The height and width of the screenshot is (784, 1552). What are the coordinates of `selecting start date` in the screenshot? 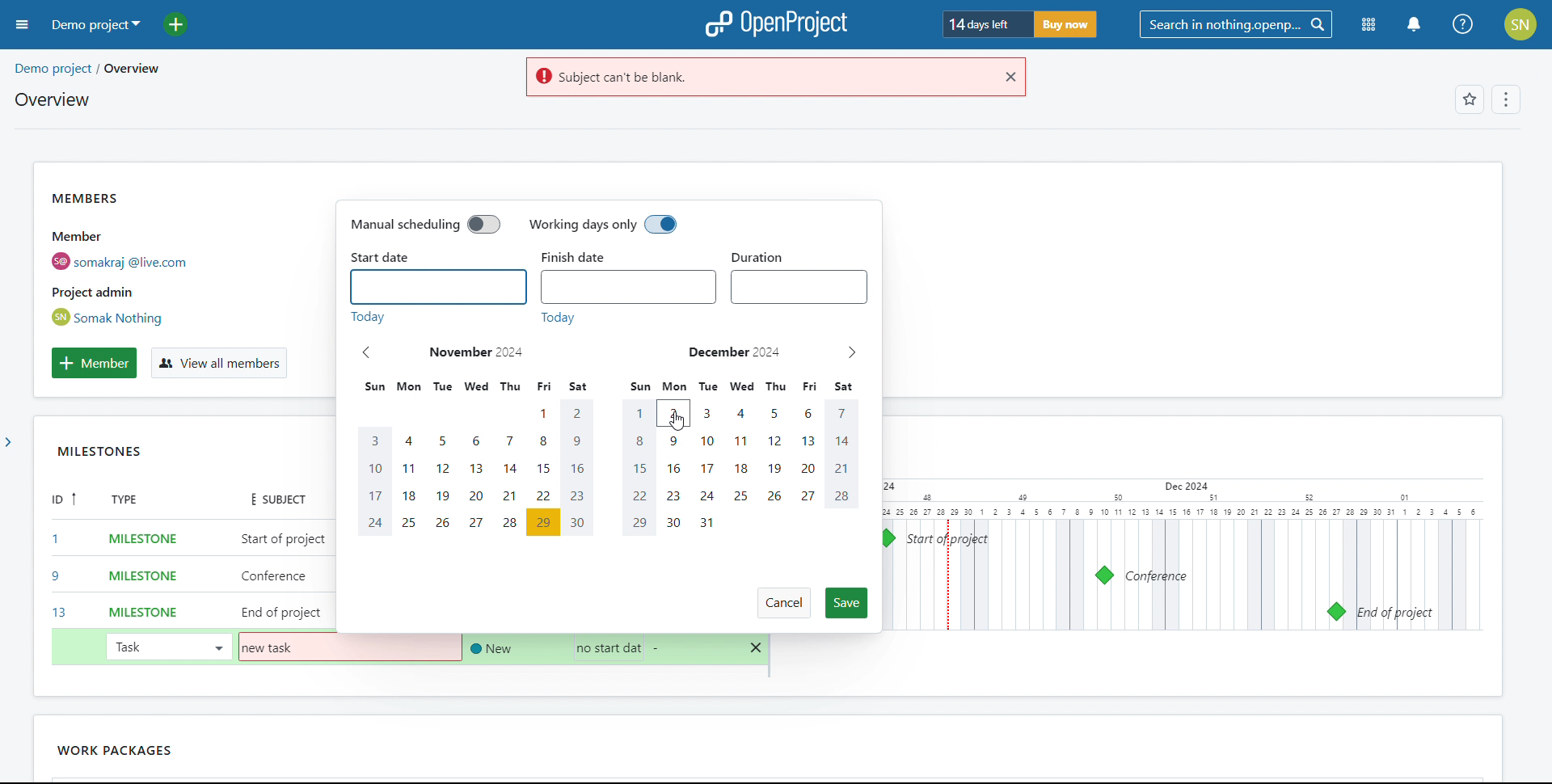 It's located at (603, 647).